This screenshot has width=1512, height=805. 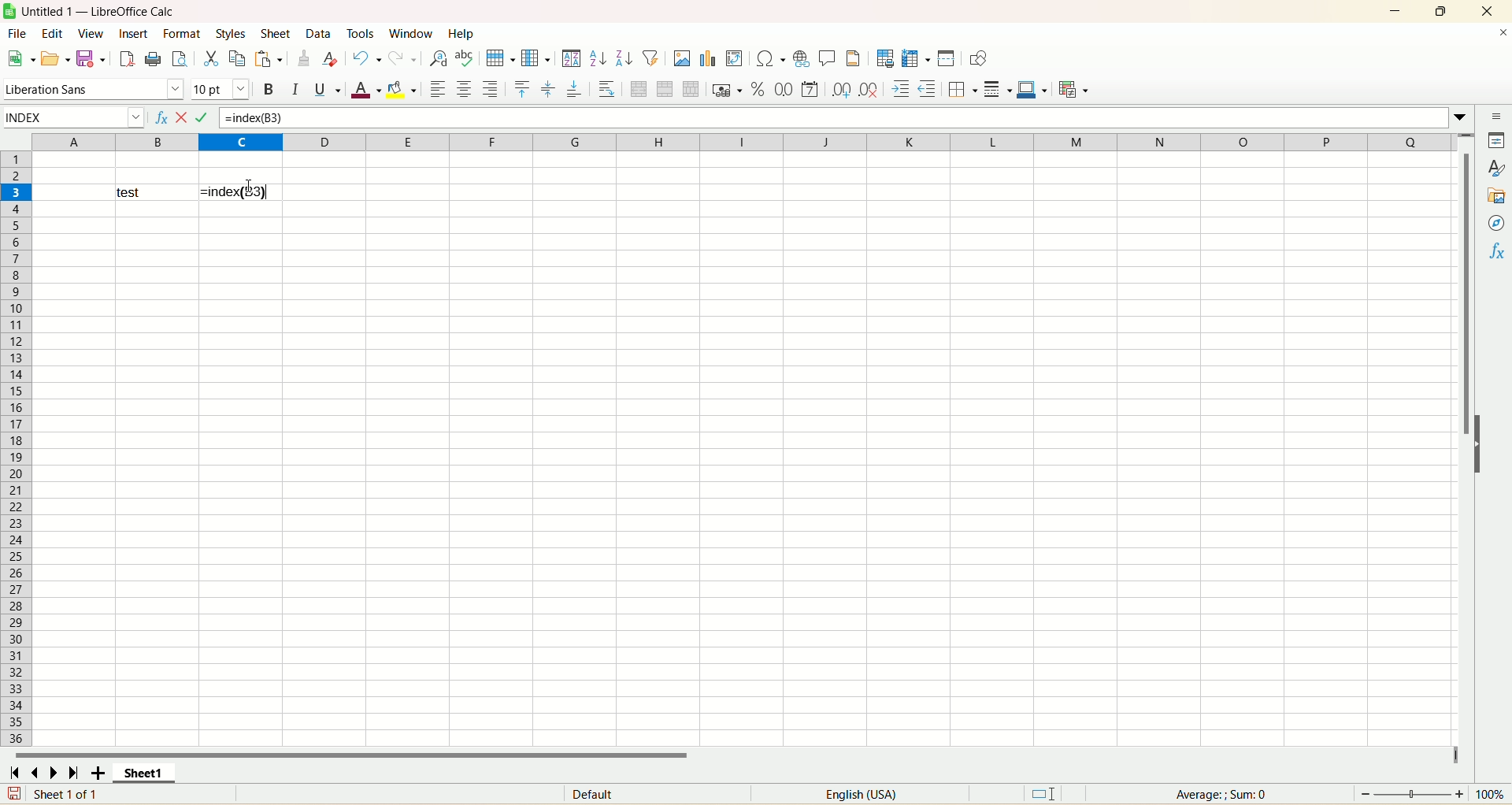 I want to click on row number, so click(x=16, y=474).